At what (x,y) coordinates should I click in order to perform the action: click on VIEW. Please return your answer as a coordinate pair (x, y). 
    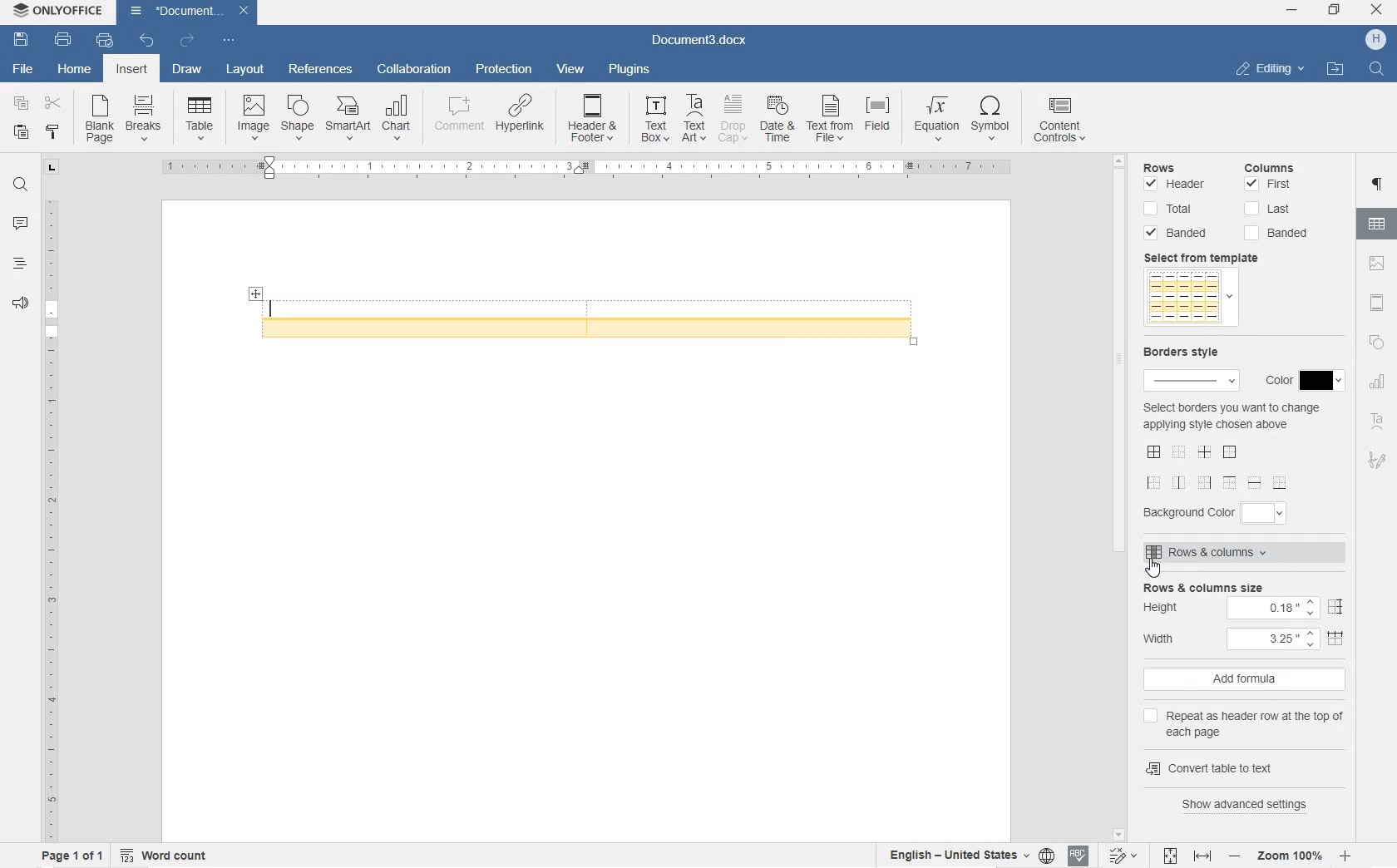
    Looking at the image, I should click on (570, 69).